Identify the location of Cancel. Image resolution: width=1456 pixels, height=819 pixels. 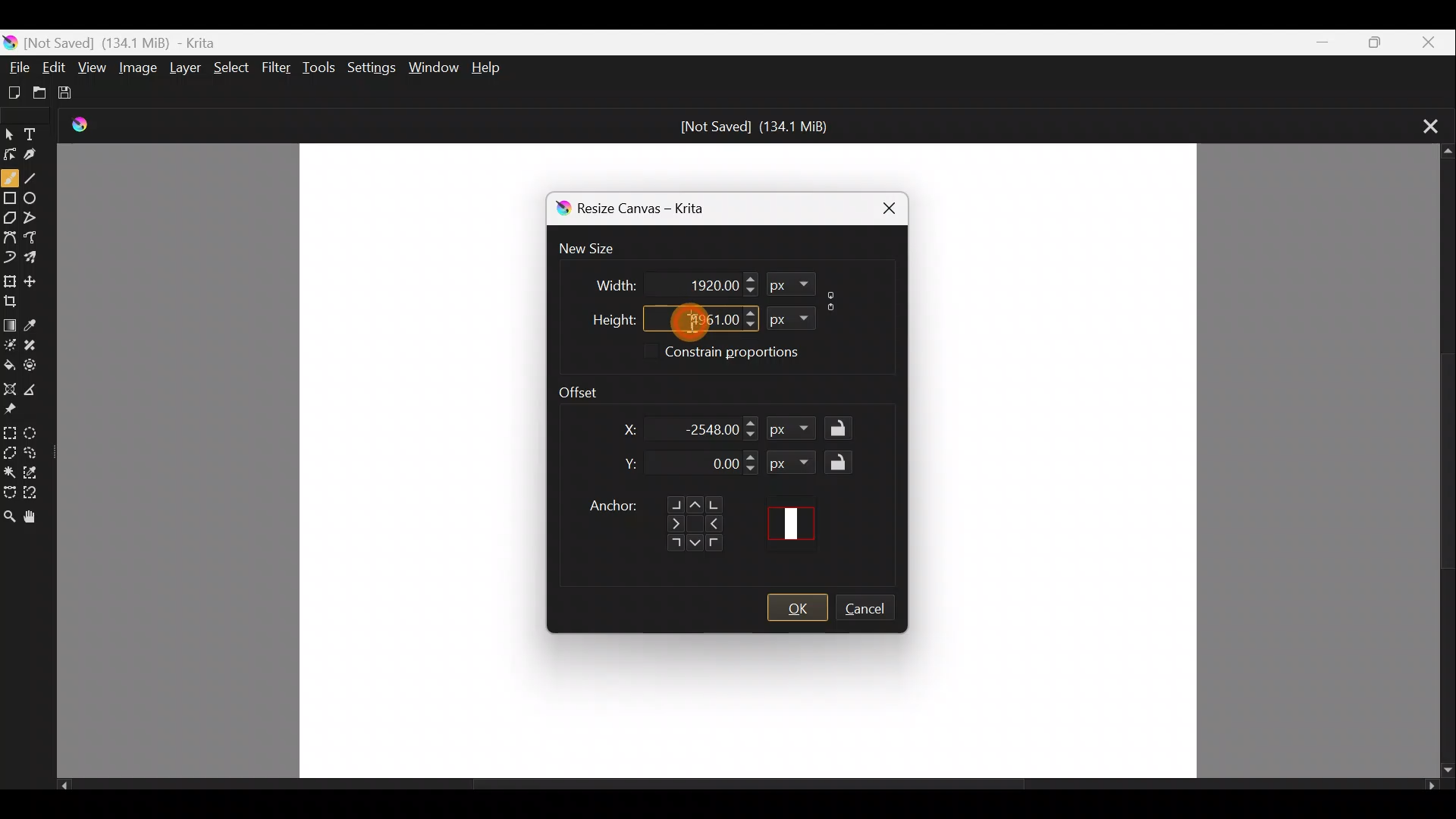
(873, 610).